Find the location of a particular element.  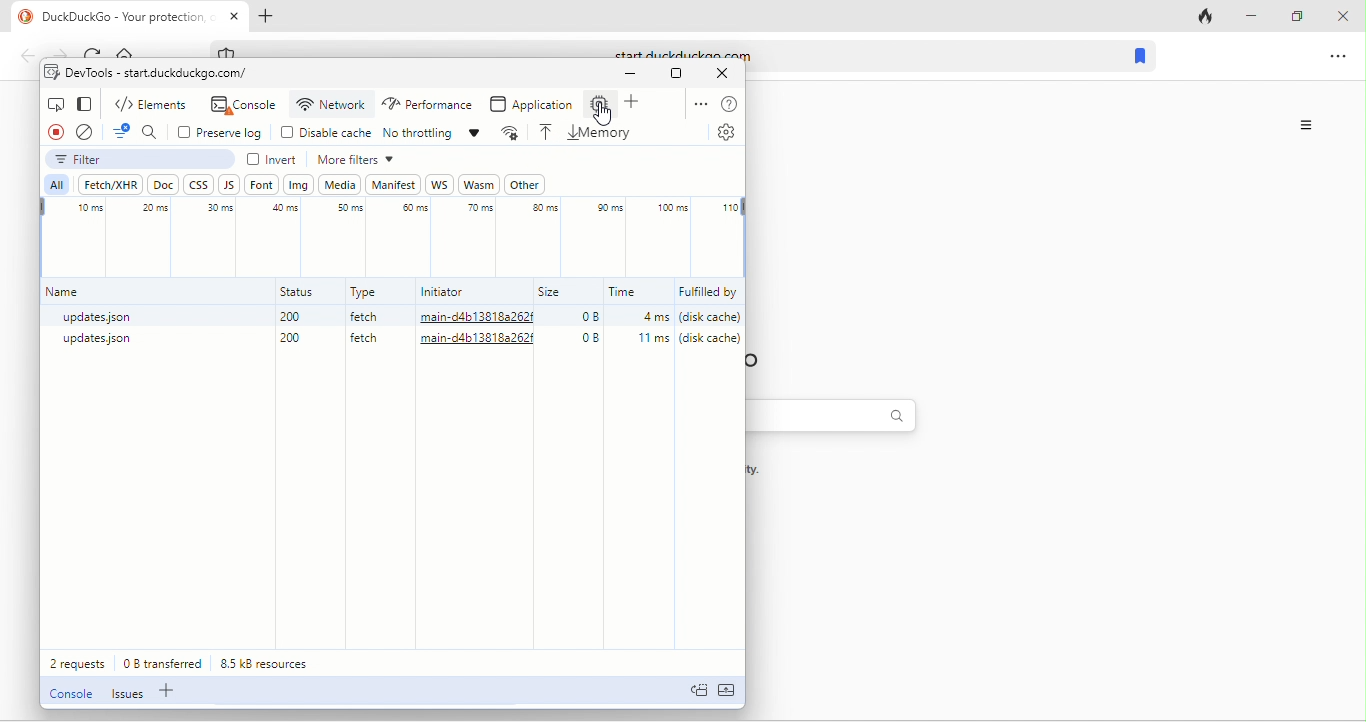

options is located at coordinates (1309, 125).